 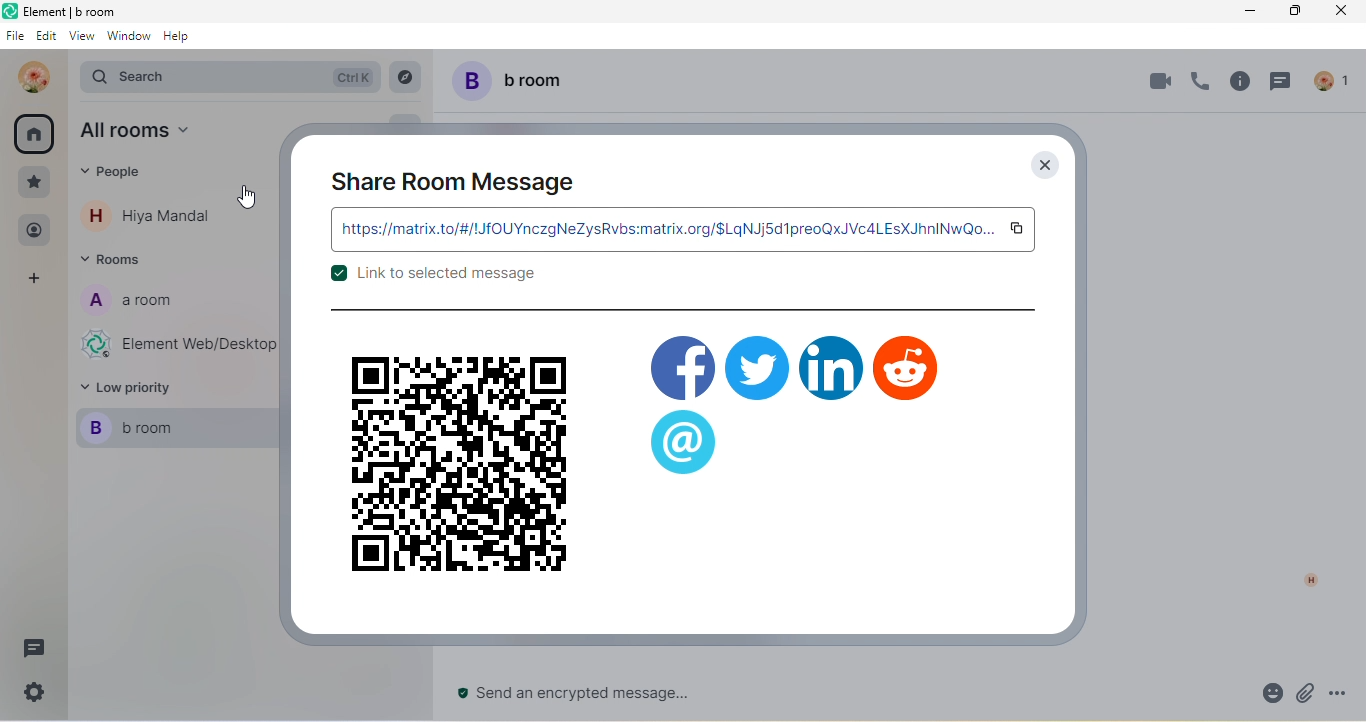 What do you see at coordinates (14, 38) in the screenshot?
I see `file` at bounding box center [14, 38].